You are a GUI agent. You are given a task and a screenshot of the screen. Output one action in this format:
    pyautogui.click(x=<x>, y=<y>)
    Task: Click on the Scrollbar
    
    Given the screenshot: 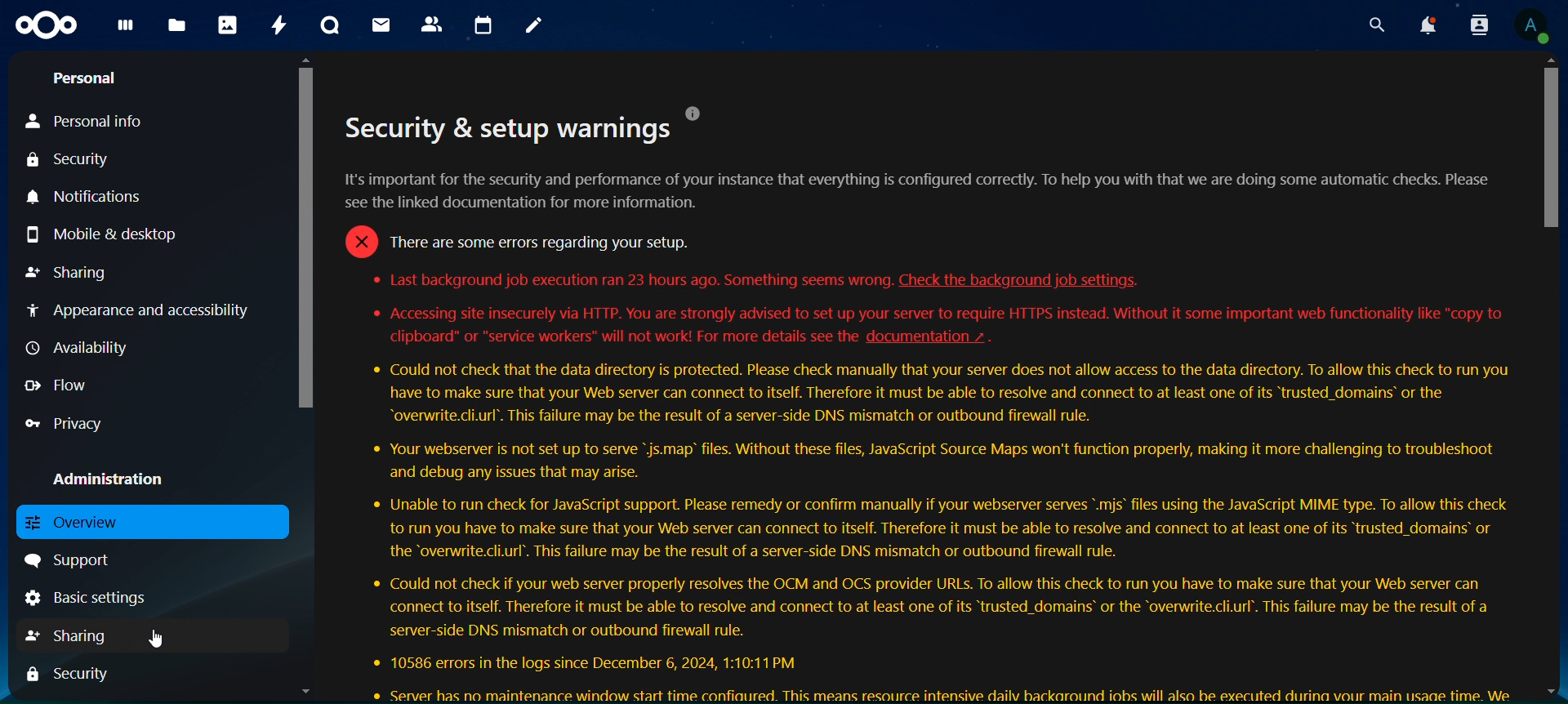 What is the action you would take?
    pyautogui.click(x=301, y=378)
    